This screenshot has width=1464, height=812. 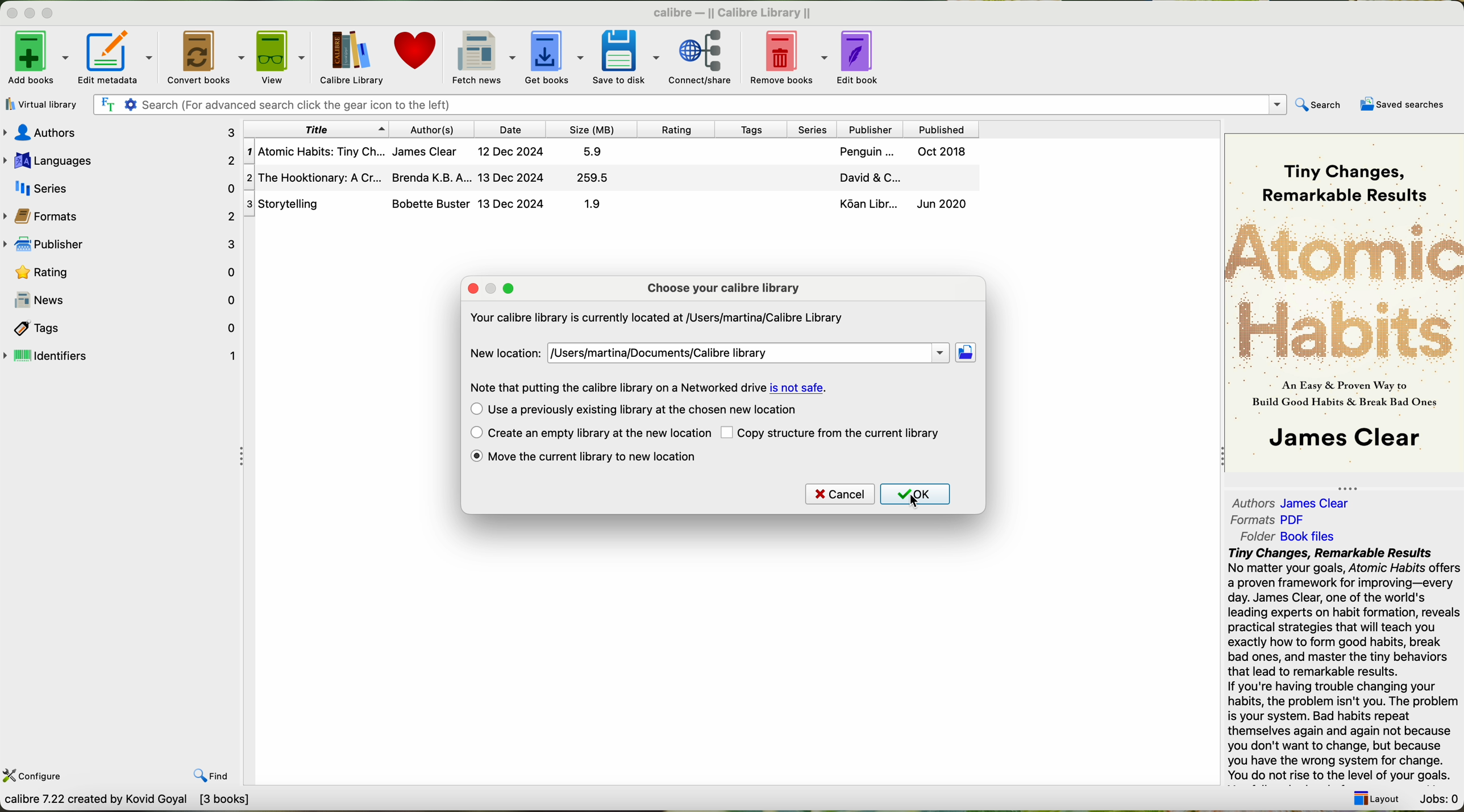 I want to click on configure, so click(x=44, y=777).